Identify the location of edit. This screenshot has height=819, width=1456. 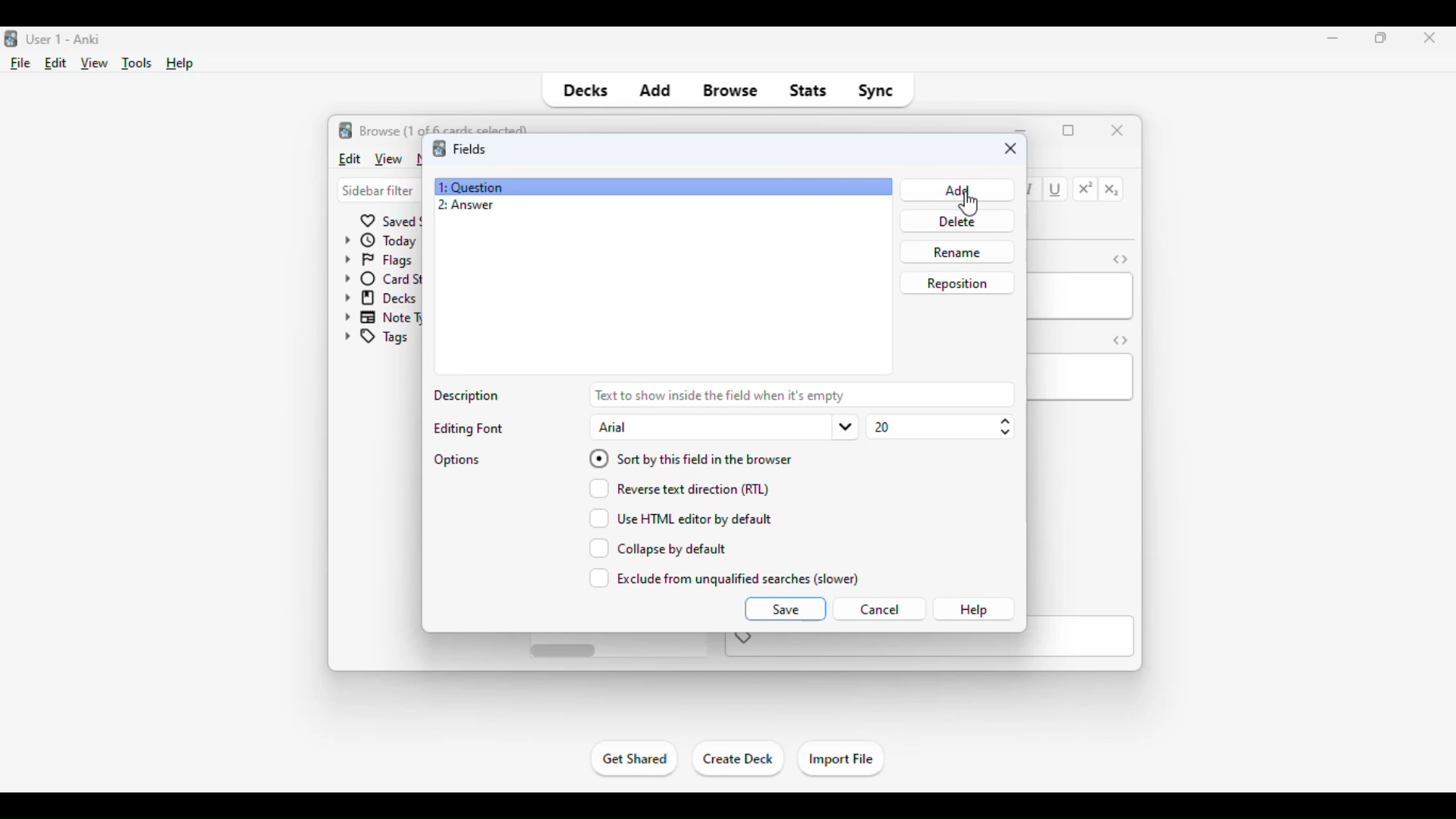
(56, 63).